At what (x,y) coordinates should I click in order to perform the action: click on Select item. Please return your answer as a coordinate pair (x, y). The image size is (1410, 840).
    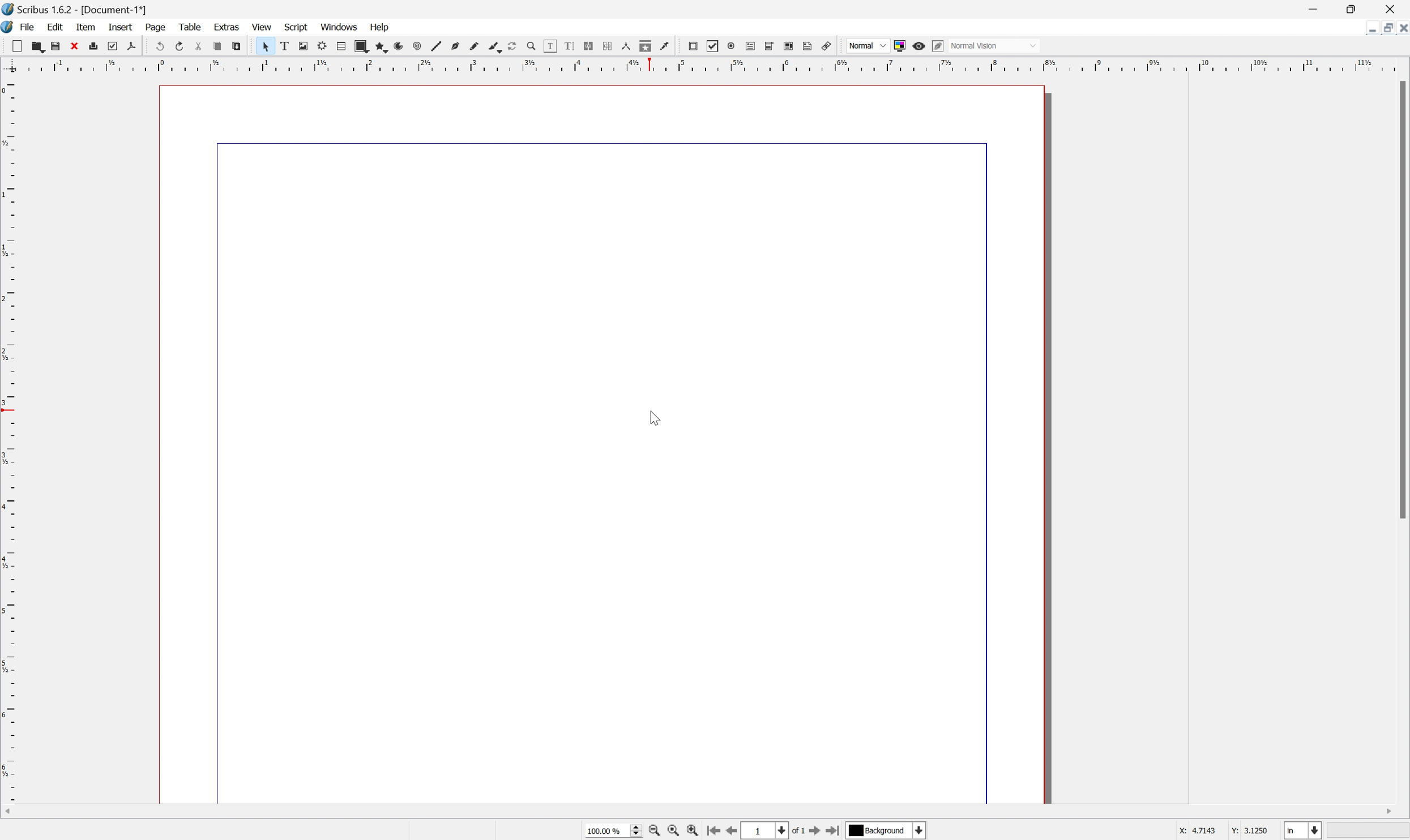
    Looking at the image, I should click on (267, 46).